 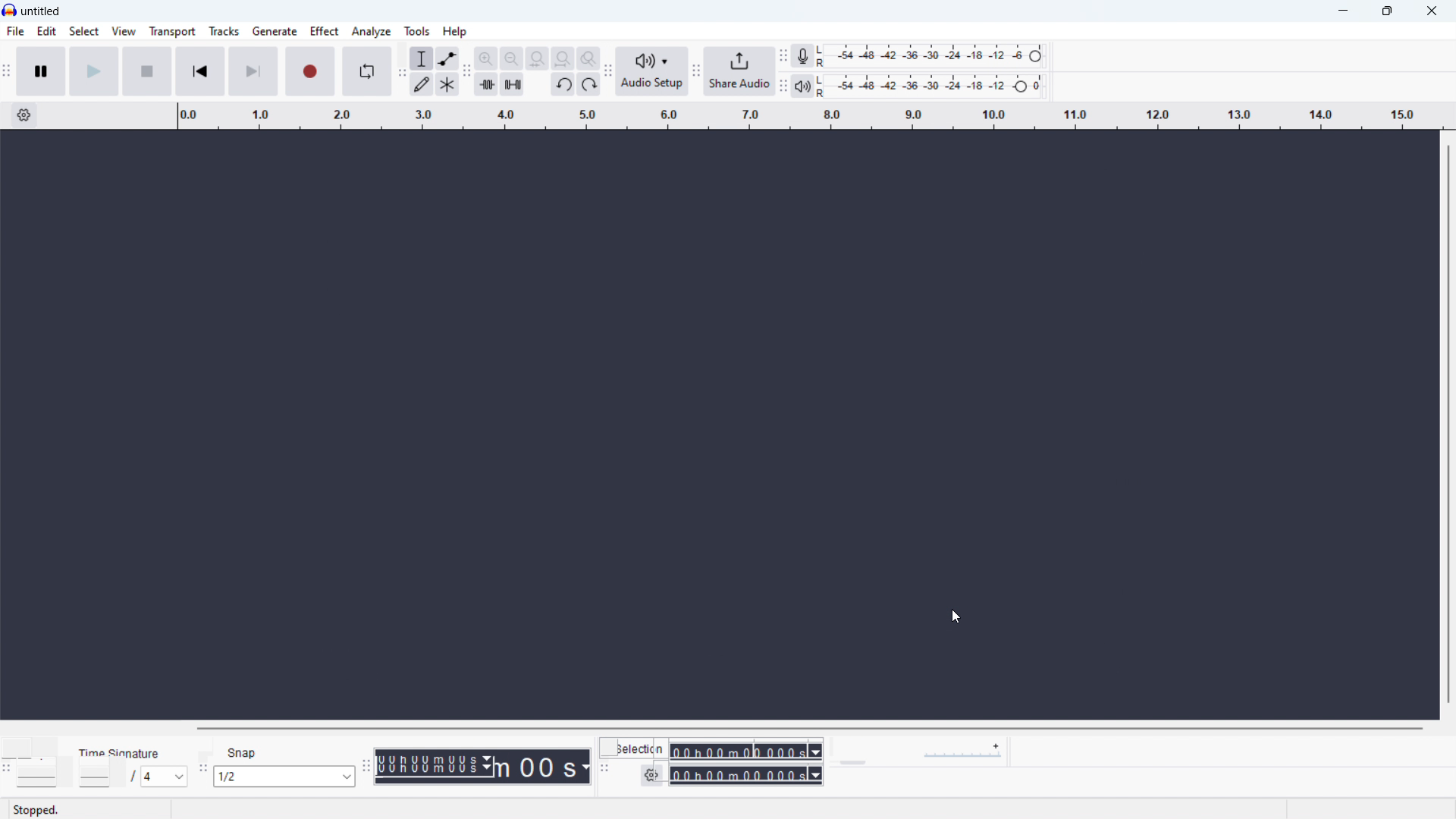 I want to click on playback meter toolbar, so click(x=783, y=86).